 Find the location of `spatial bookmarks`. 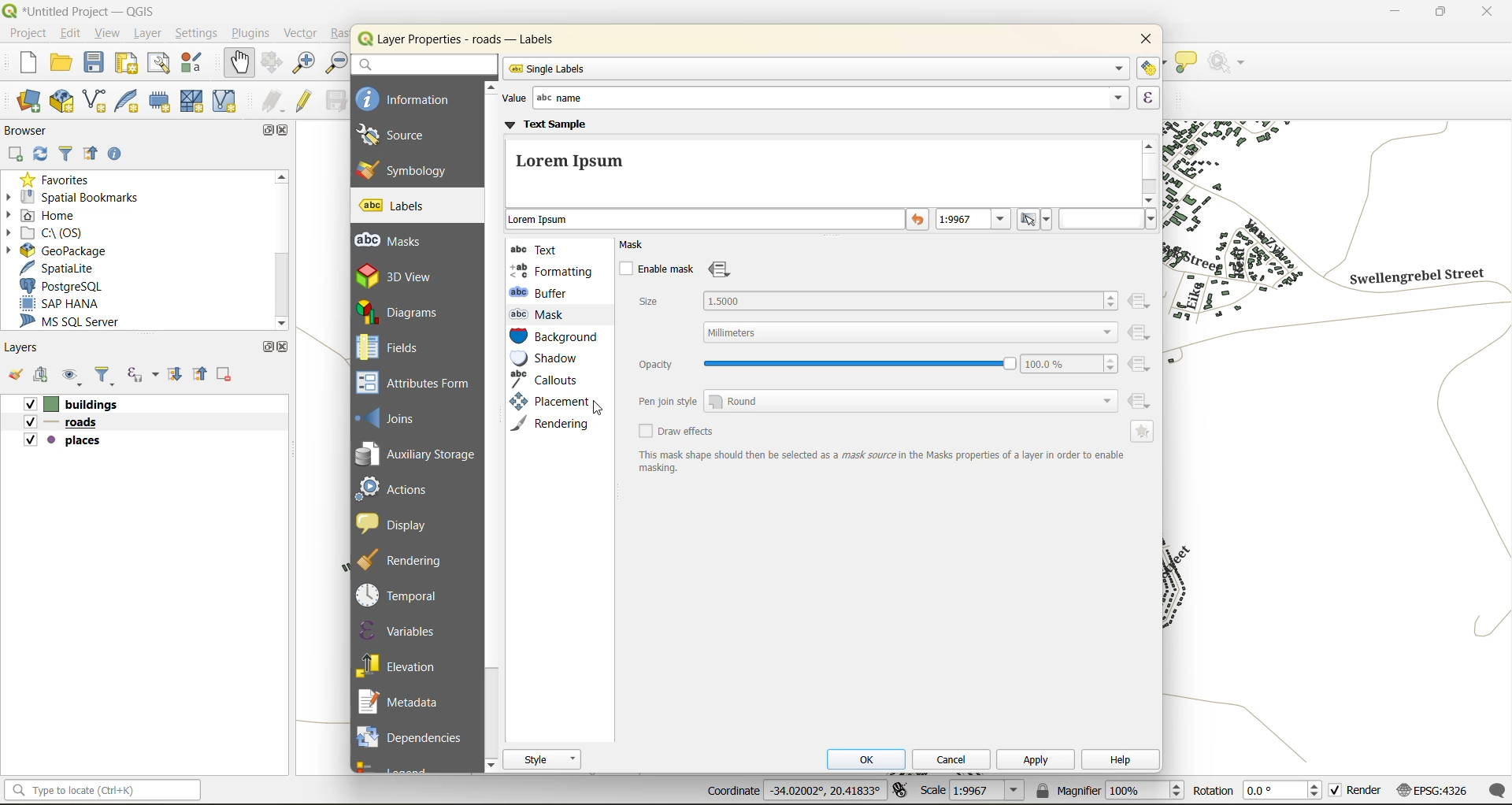

spatial bookmarks is located at coordinates (86, 199).